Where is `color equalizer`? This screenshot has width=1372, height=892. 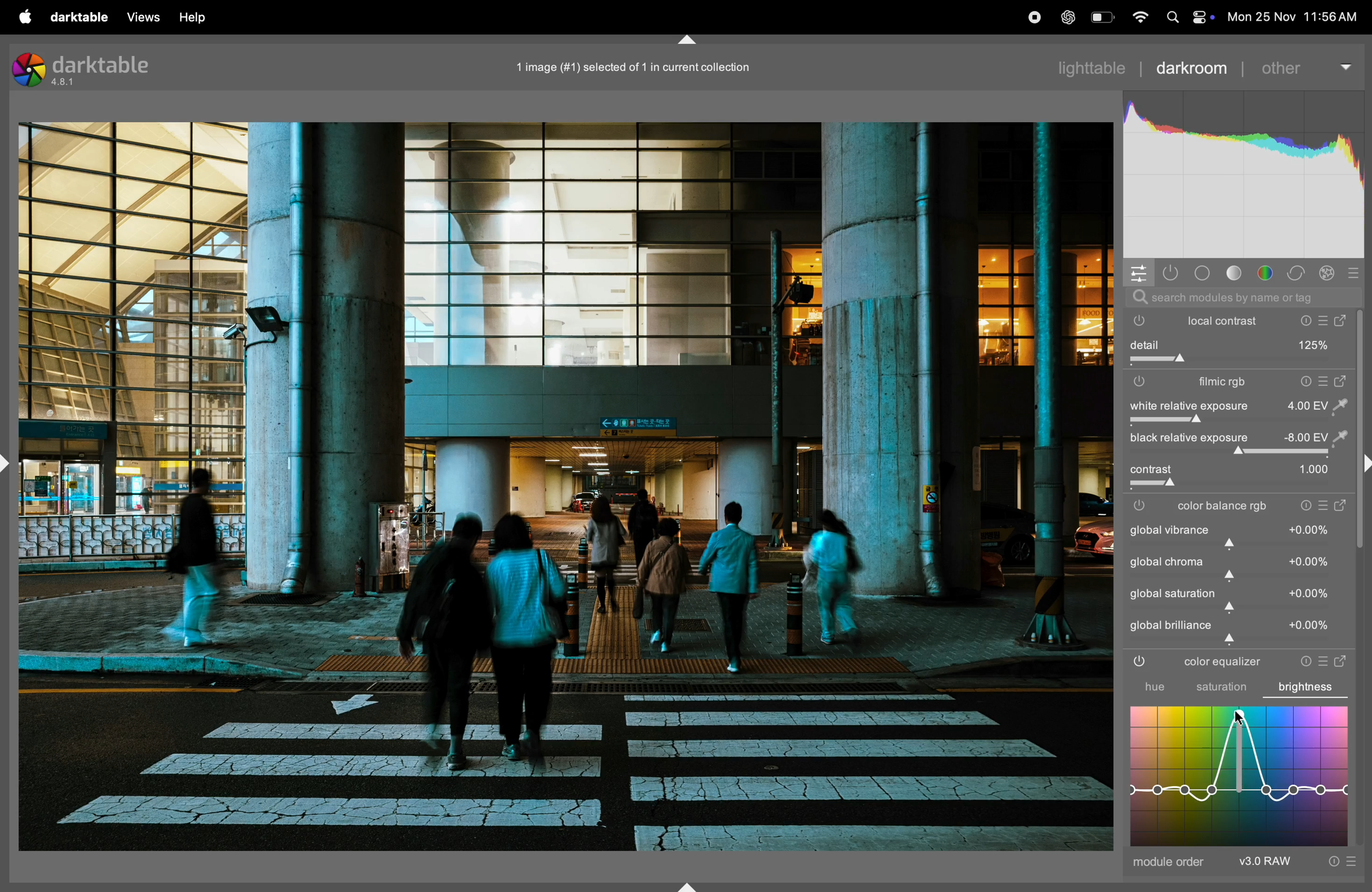 color equalizer is located at coordinates (1220, 663).